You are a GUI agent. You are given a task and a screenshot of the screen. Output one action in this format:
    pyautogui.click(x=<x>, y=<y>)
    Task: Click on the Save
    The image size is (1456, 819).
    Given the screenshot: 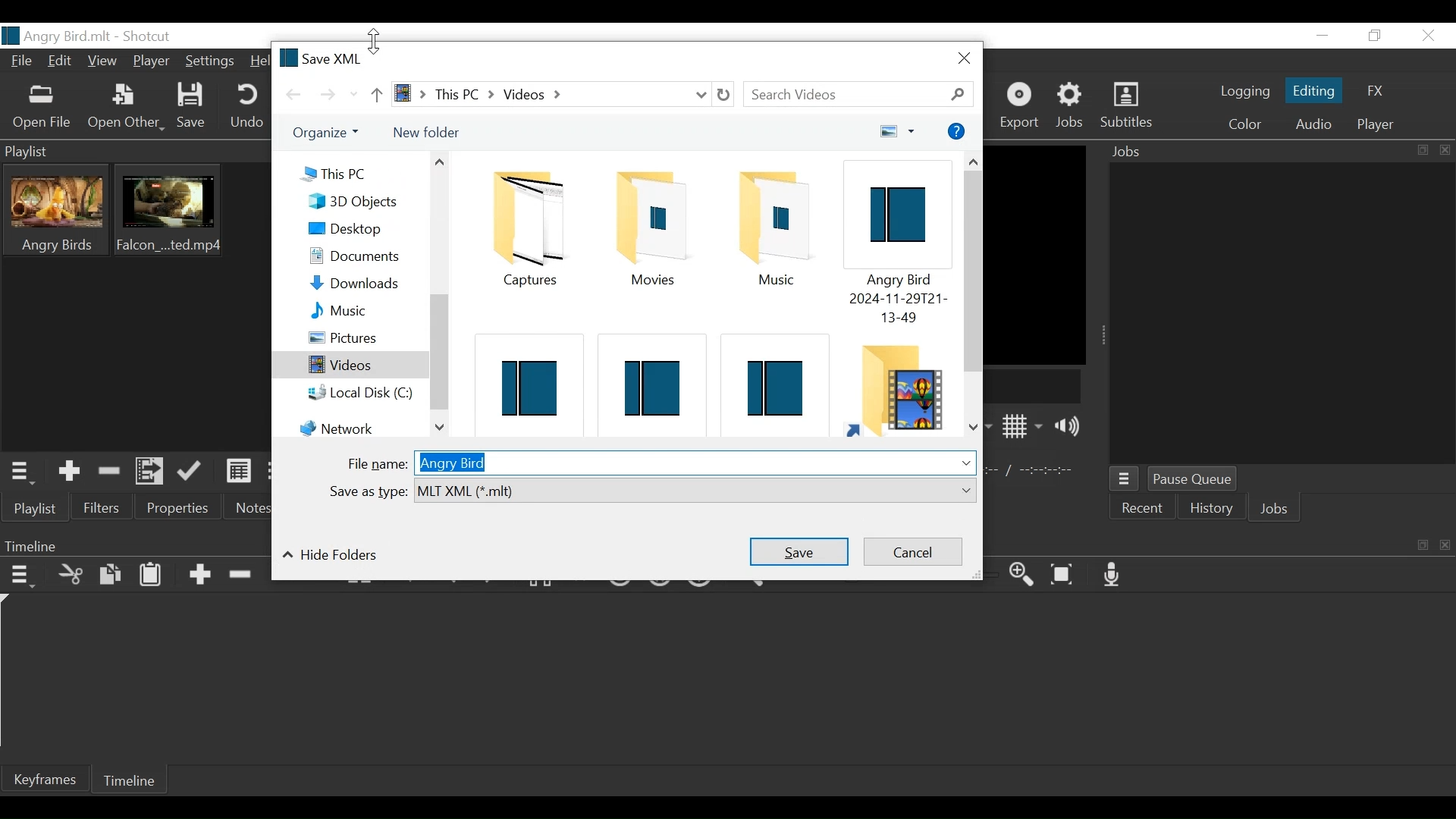 What is the action you would take?
    pyautogui.click(x=192, y=106)
    